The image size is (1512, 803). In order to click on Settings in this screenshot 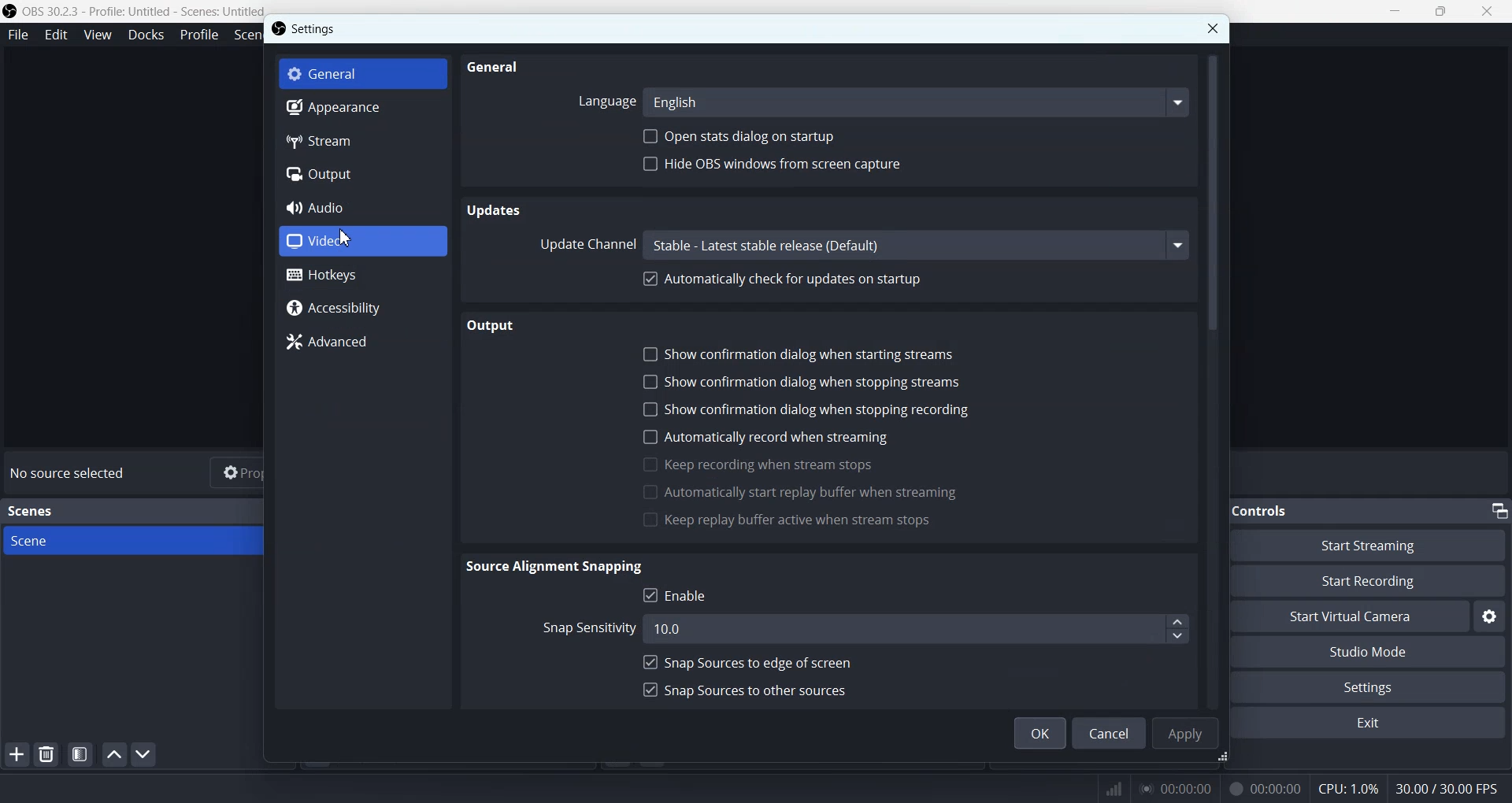, I will do `click(317, 28)`.